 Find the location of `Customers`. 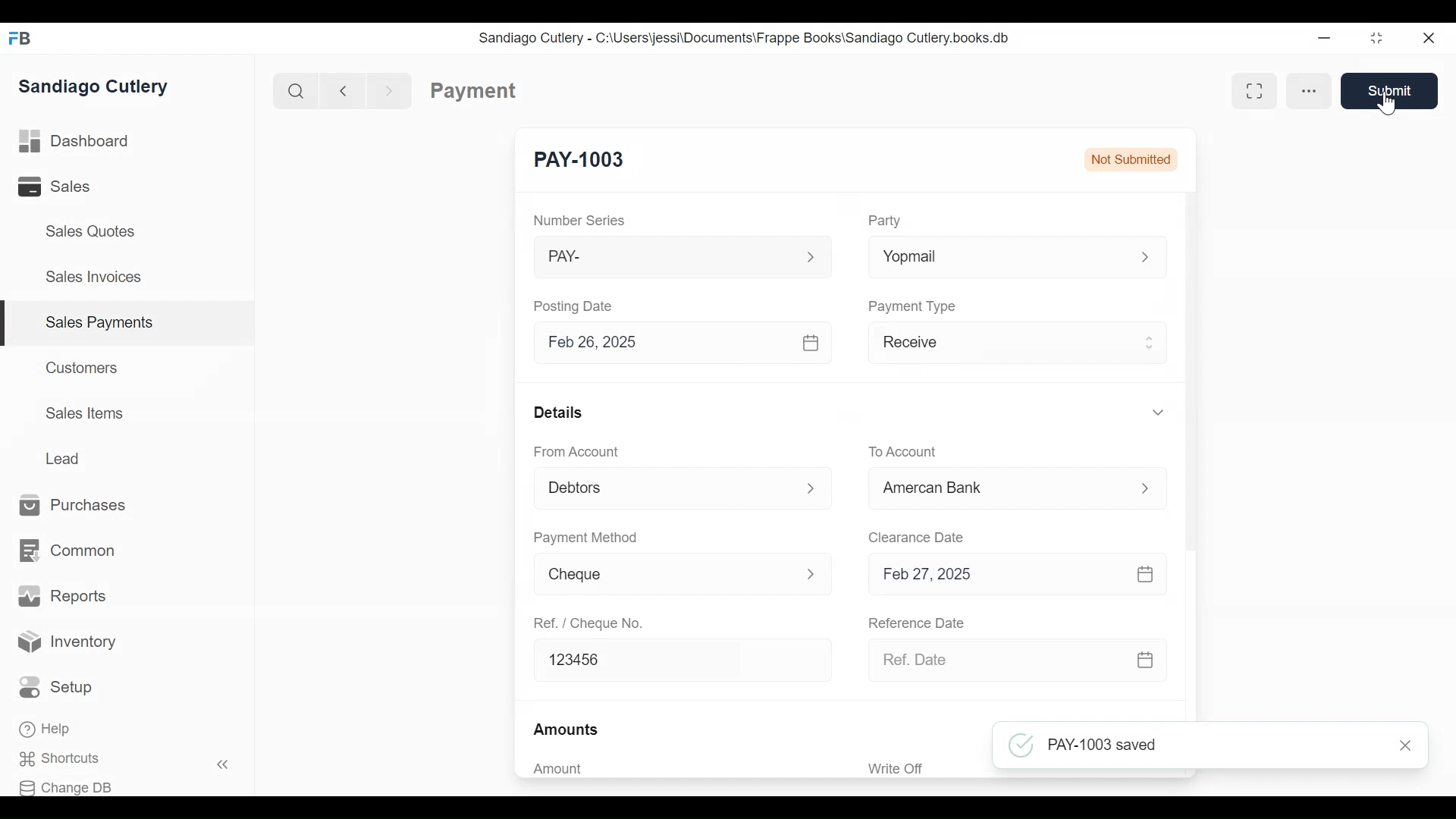

Customers is located at coordinates (83, 367).